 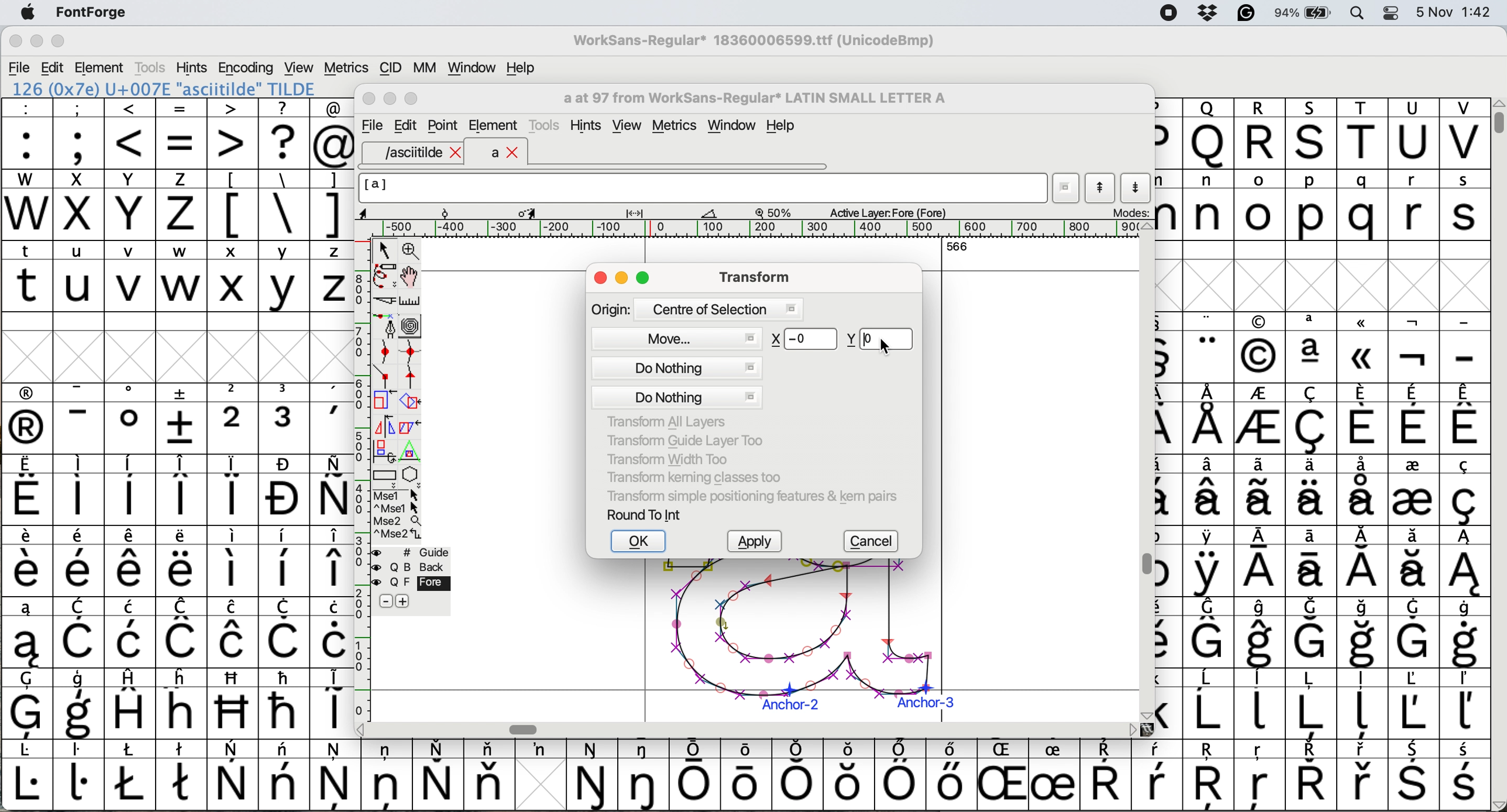 What do you see at coordinates (1464, 562) in the screenshot?
I see `symbol` at bounding box center [1464, 562].